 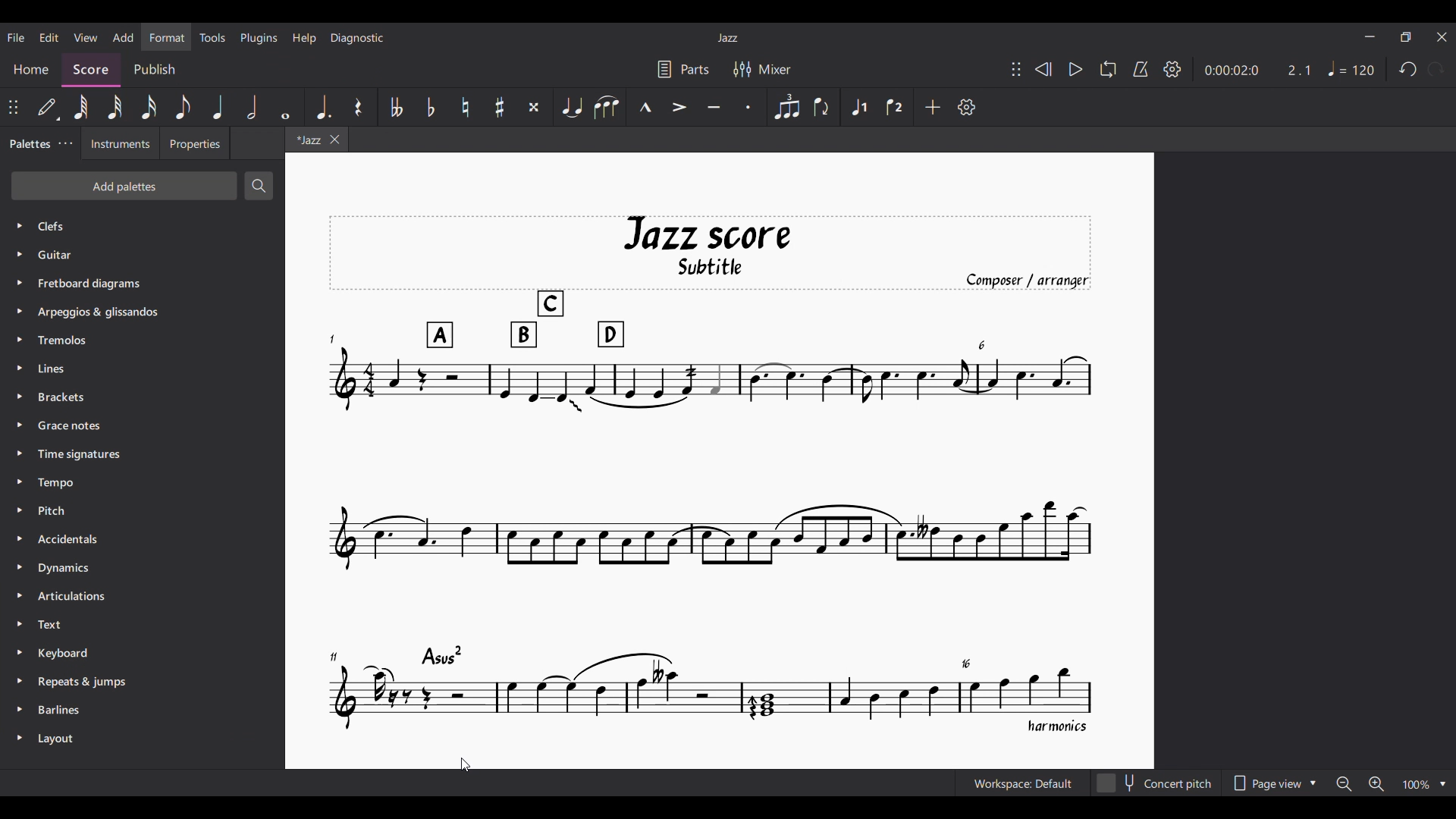 I want to click on Half note, so click(x=252, y=107).